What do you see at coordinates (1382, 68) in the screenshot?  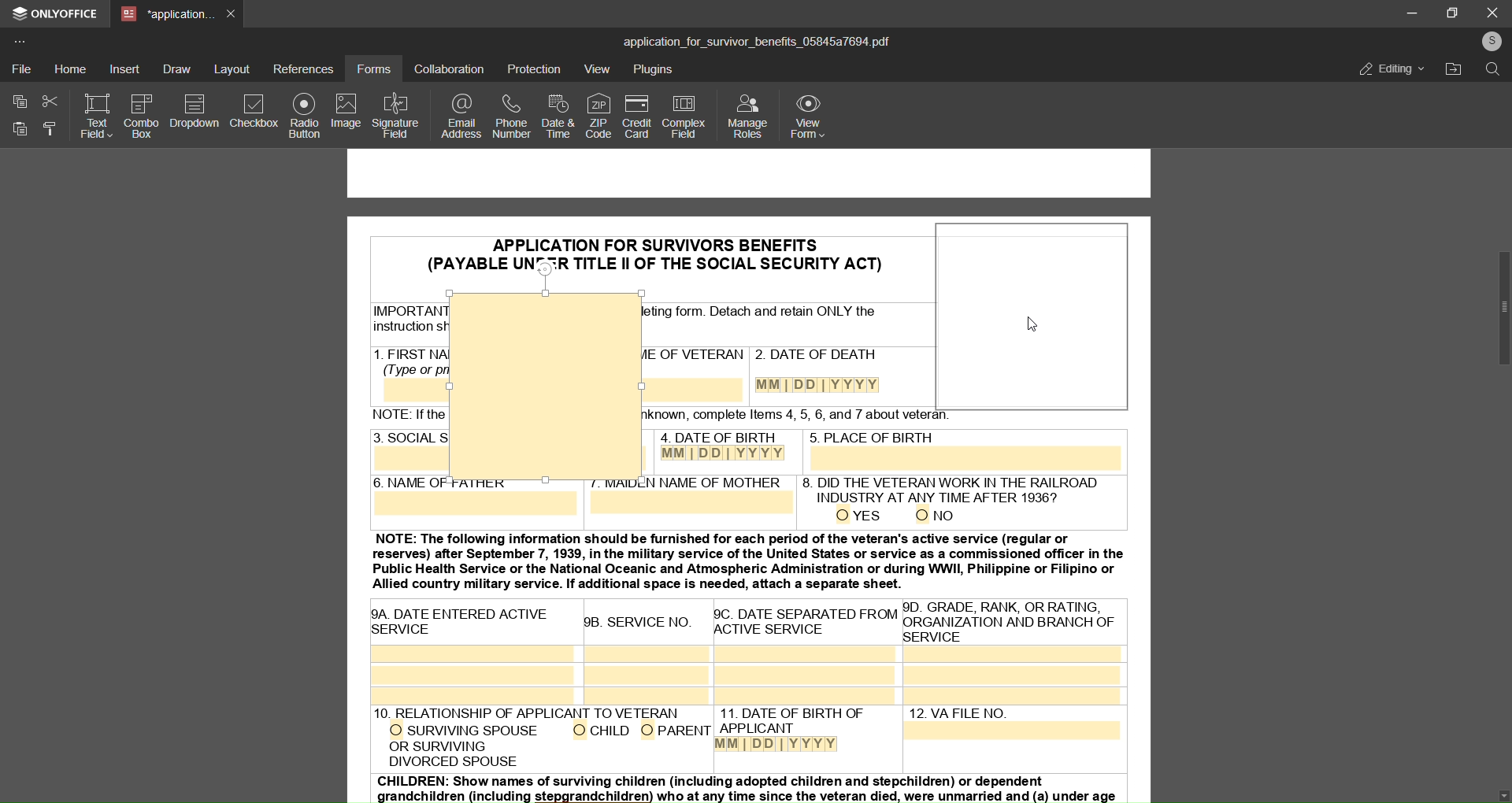 I see `editing` at bounding box center [1382, 68].